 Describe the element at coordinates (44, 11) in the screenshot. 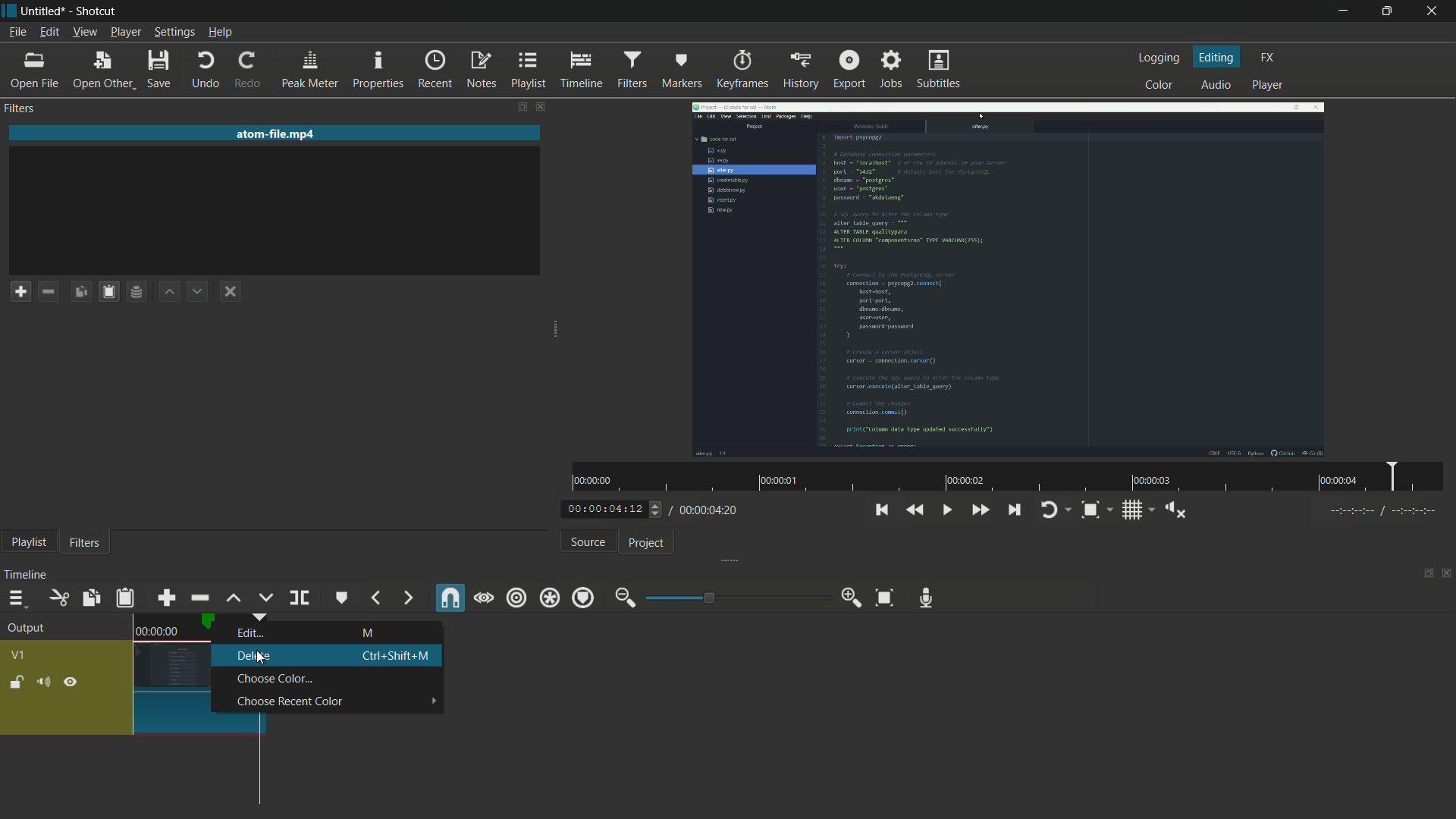

I see `file name` at that location.